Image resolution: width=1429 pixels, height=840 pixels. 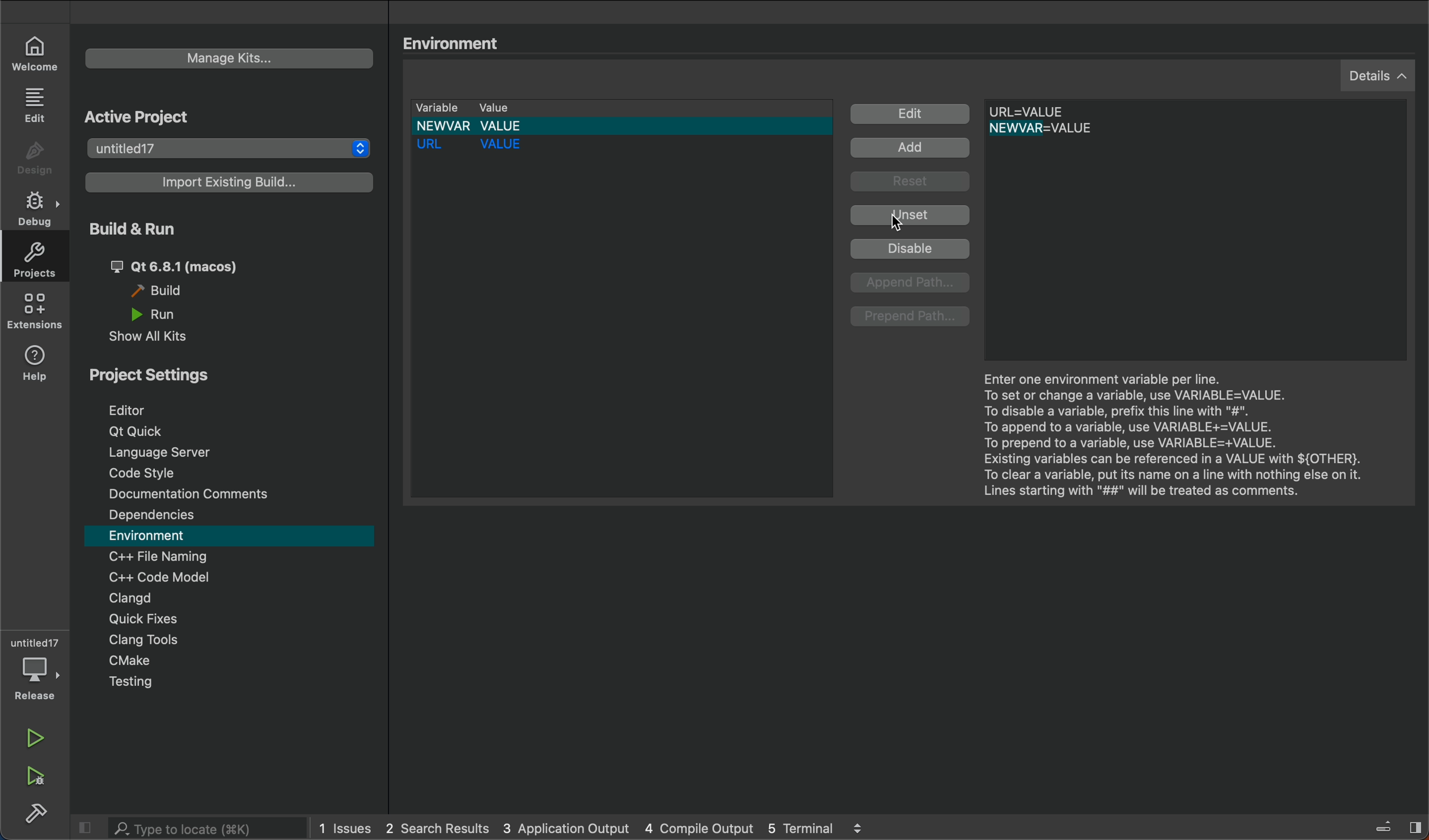 What do you see at coordinates (232, 151) in the screenshot?
I see `untitled17` at bounding box center [232, 151].